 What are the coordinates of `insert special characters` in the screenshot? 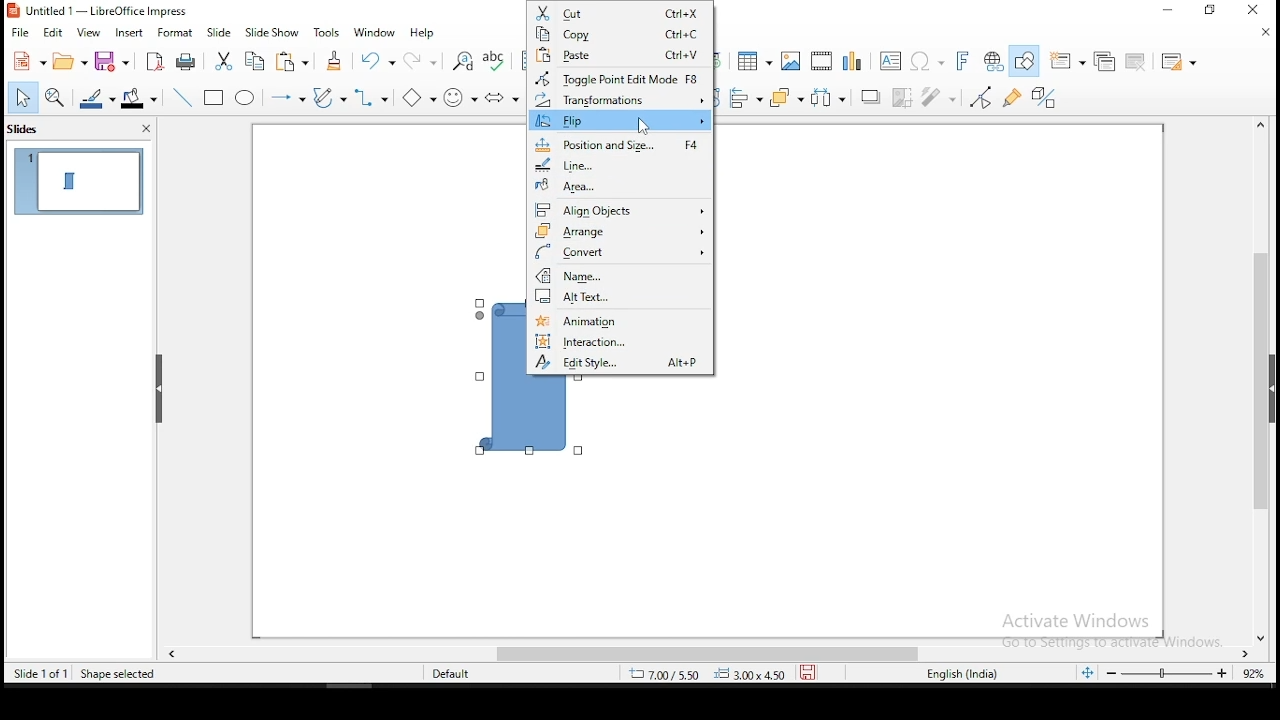 It's located at (928, 59).